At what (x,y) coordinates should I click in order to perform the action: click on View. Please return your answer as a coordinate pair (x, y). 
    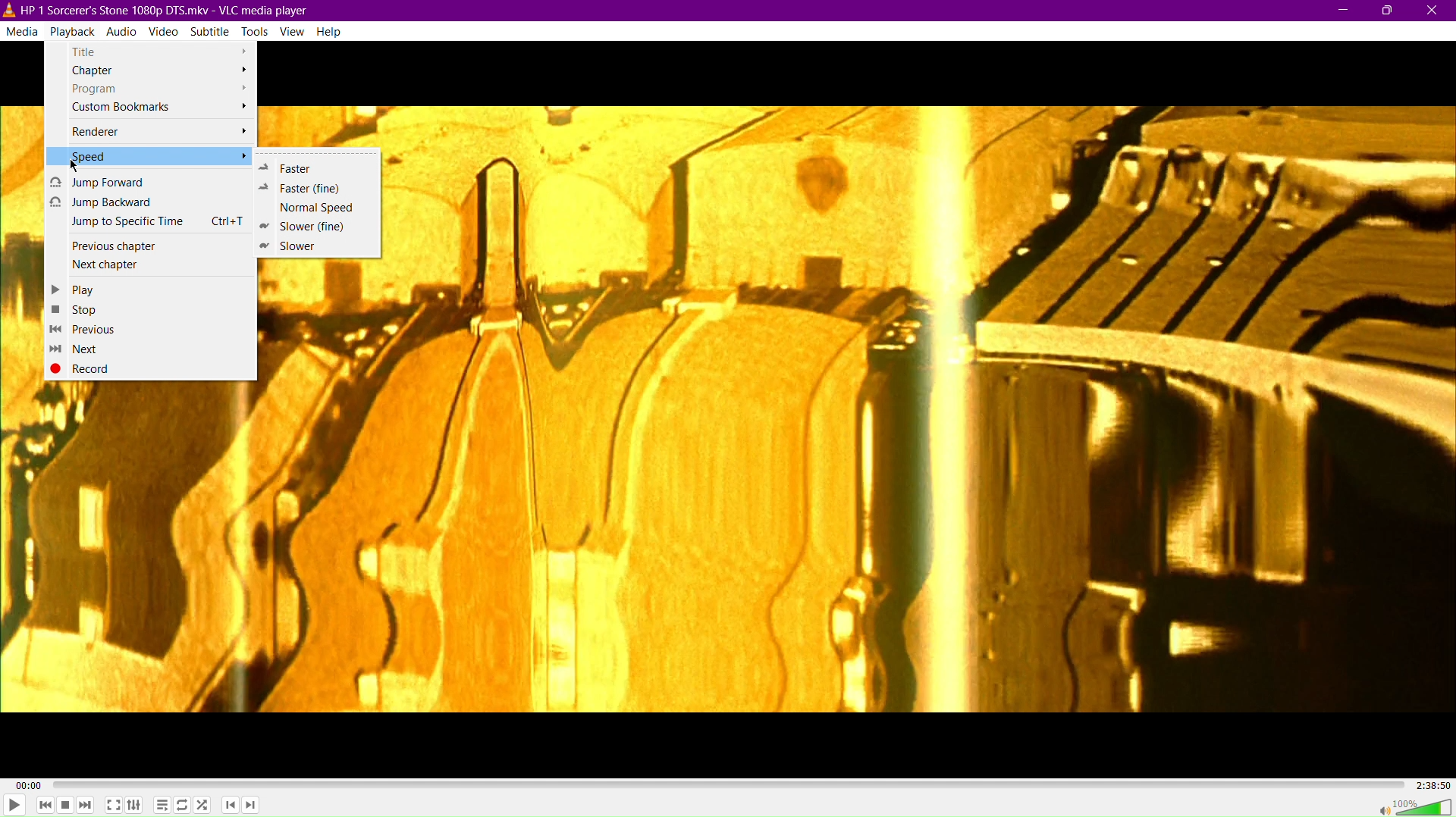
    Looking at the image, I should click on (293, 31).